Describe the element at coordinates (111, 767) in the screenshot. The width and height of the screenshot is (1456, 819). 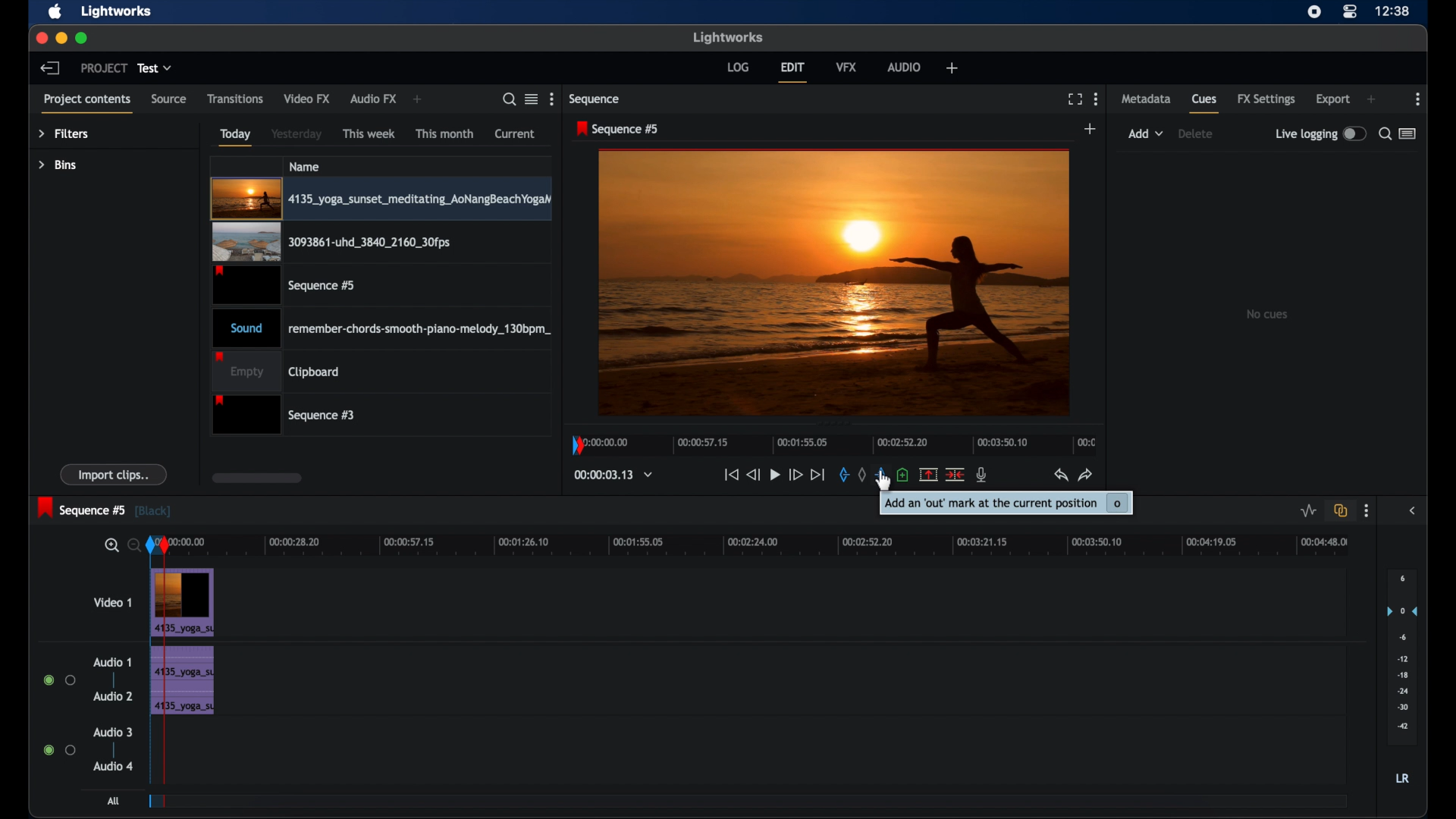
I see `audio 4` at that location.